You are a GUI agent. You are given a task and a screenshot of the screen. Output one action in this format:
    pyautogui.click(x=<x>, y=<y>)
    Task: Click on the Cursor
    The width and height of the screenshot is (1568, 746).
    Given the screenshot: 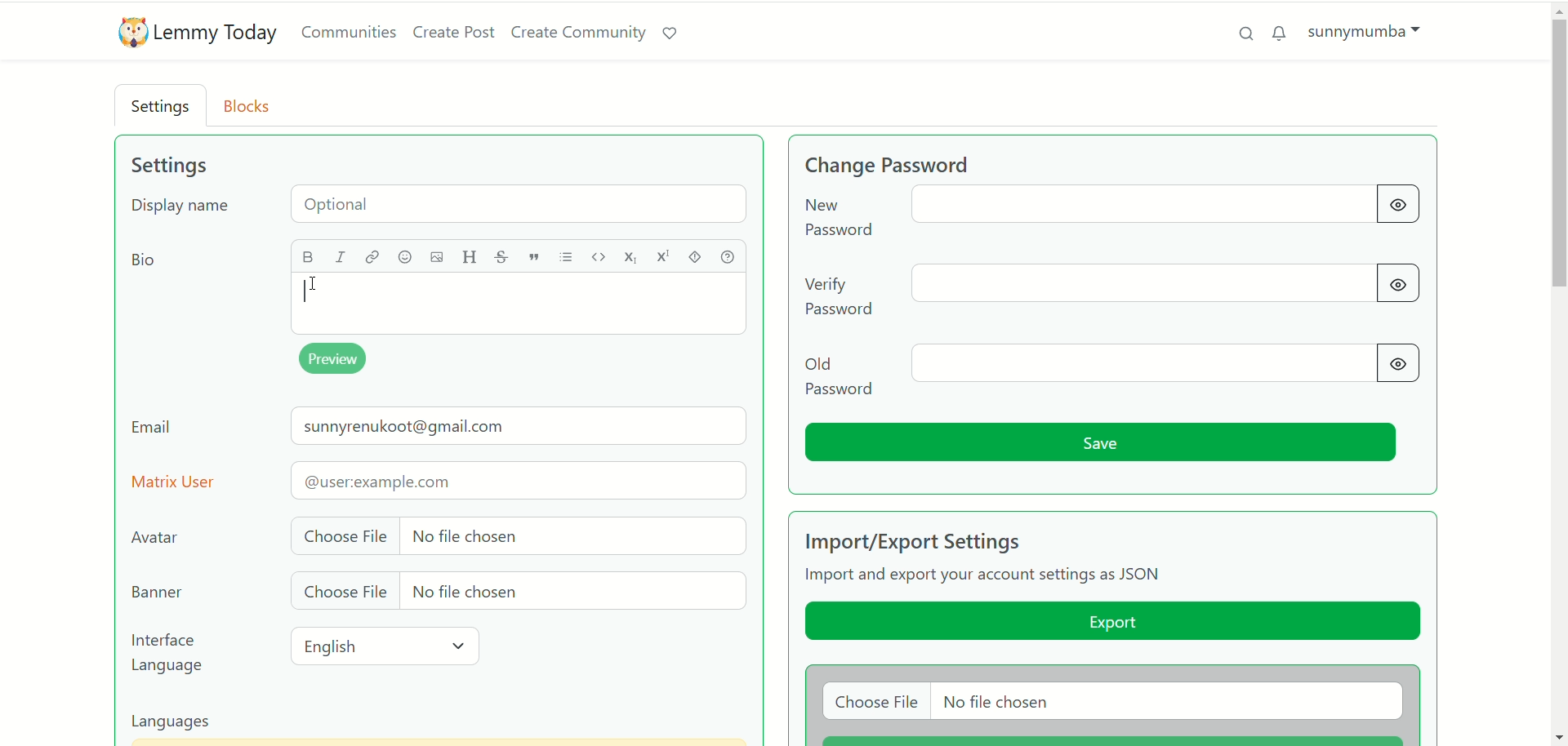 What is the action you would take?
    pyautogui.click(x=318, y=282)
    